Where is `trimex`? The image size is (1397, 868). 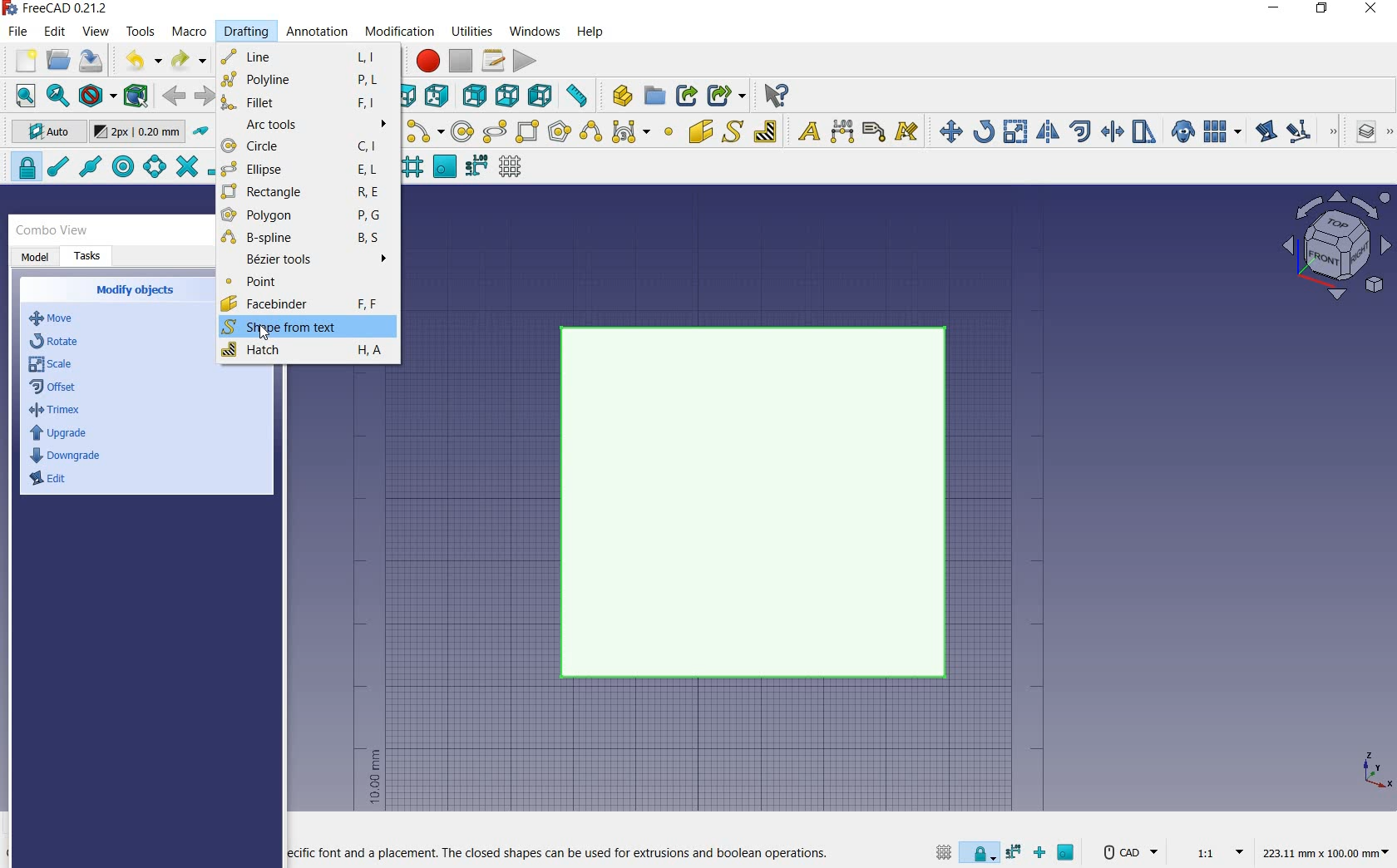 trimex is located at coordinates (54, 412).